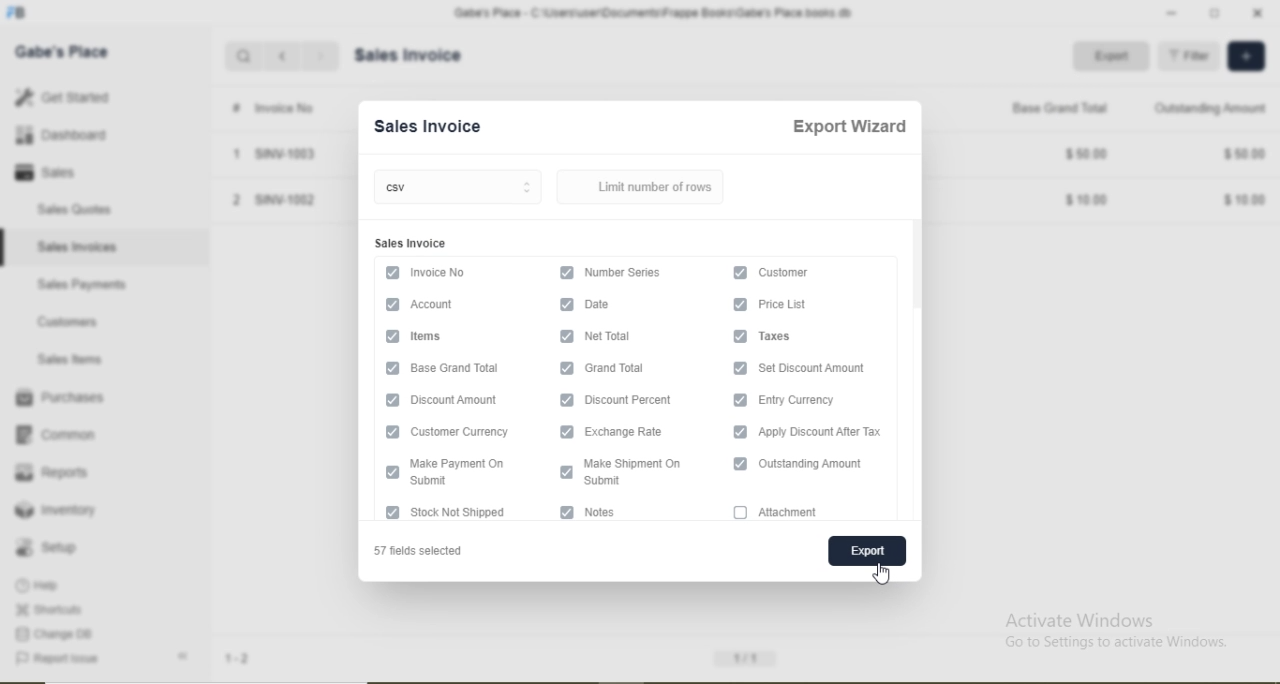  What do you see at coordinates (797, 304) in the screenshot?
I see `Price List` at bounding box center [797, 304].